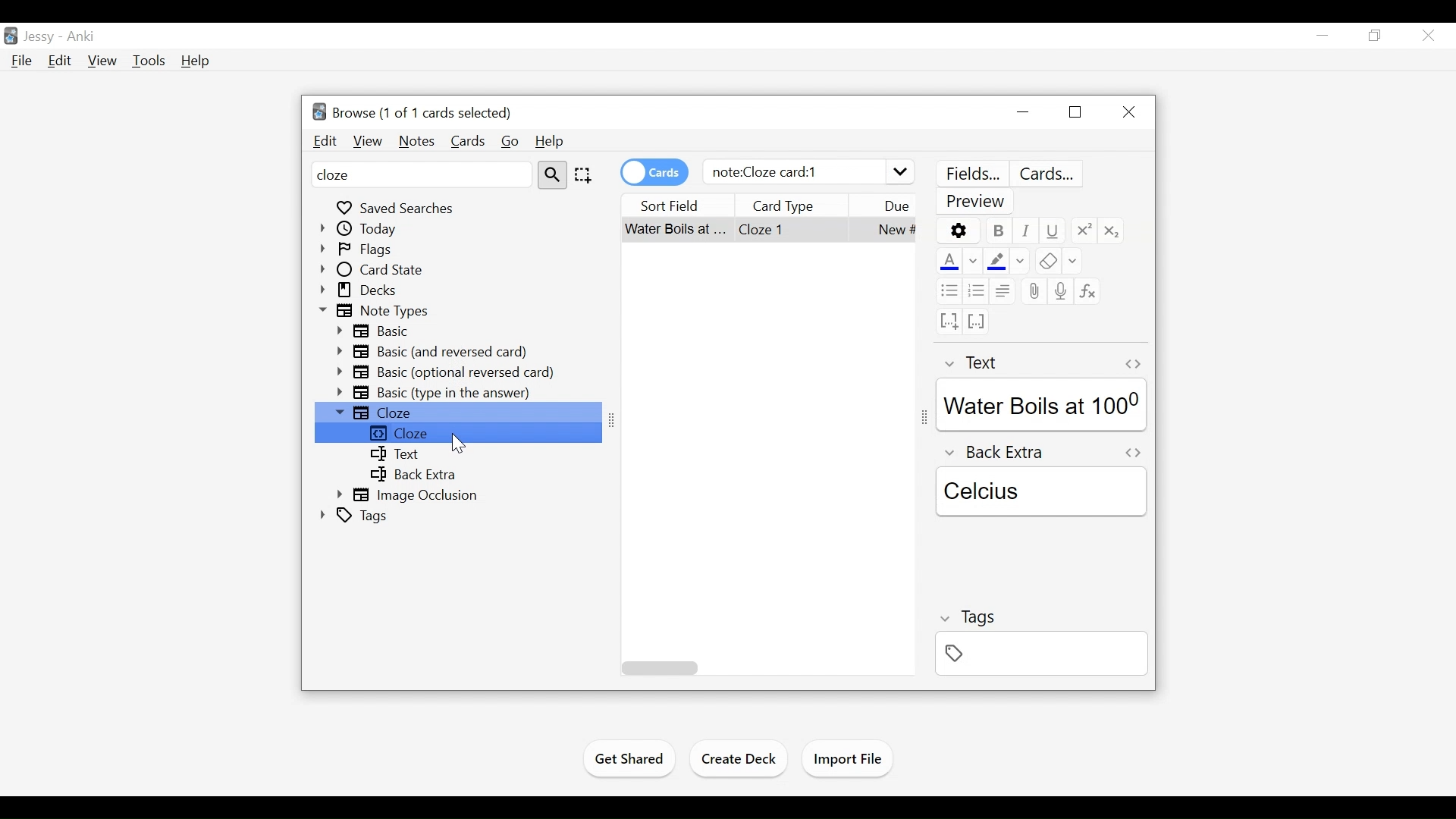  I want to click on Cursor, so click(458, 444).